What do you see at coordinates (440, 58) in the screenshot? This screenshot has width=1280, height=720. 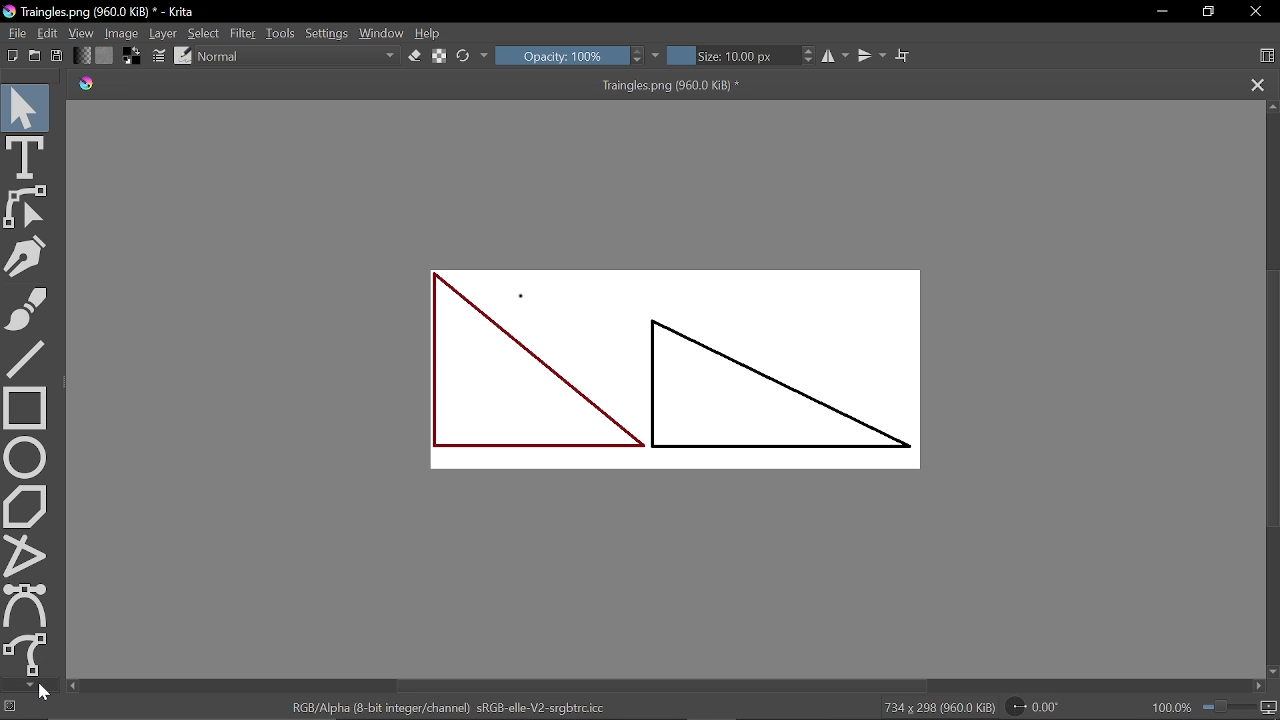 I see `preserve alpha` at bounding box center [440, 58].